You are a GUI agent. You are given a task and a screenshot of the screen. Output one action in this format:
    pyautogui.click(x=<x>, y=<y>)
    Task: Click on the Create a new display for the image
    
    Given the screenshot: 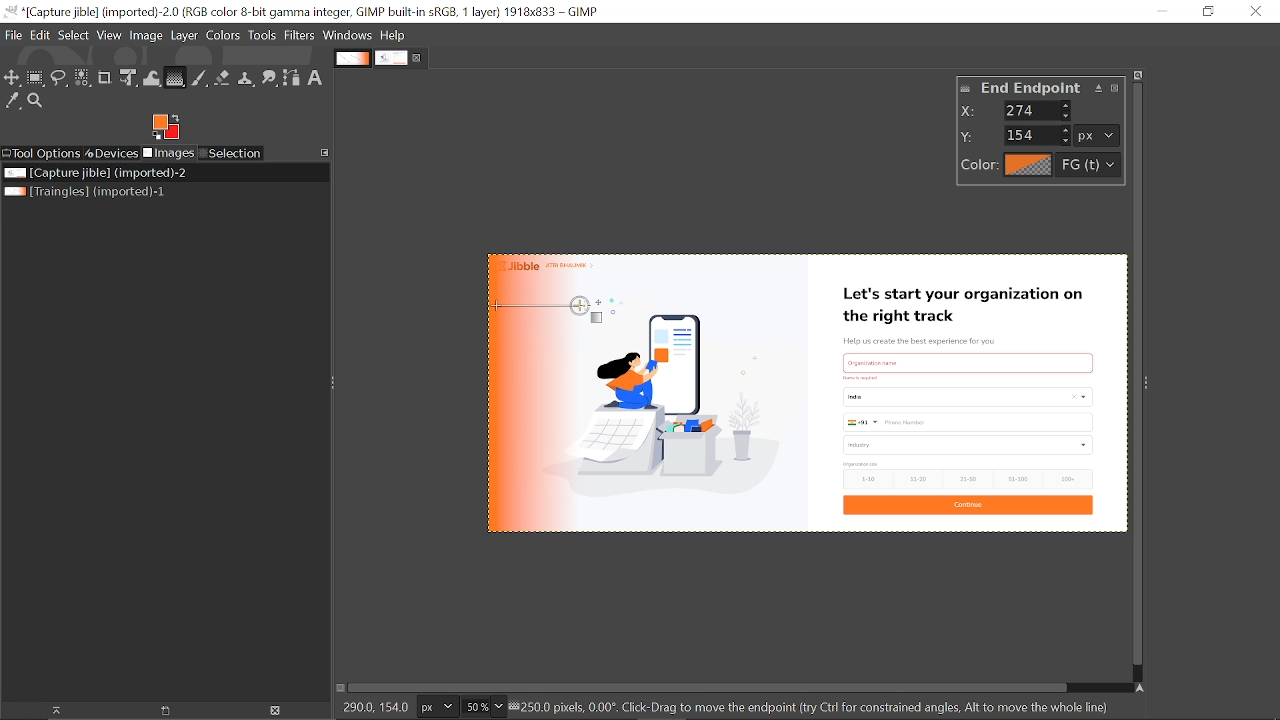 What is the action you would take?
    pyautogui.click(x=159, y=711)
    